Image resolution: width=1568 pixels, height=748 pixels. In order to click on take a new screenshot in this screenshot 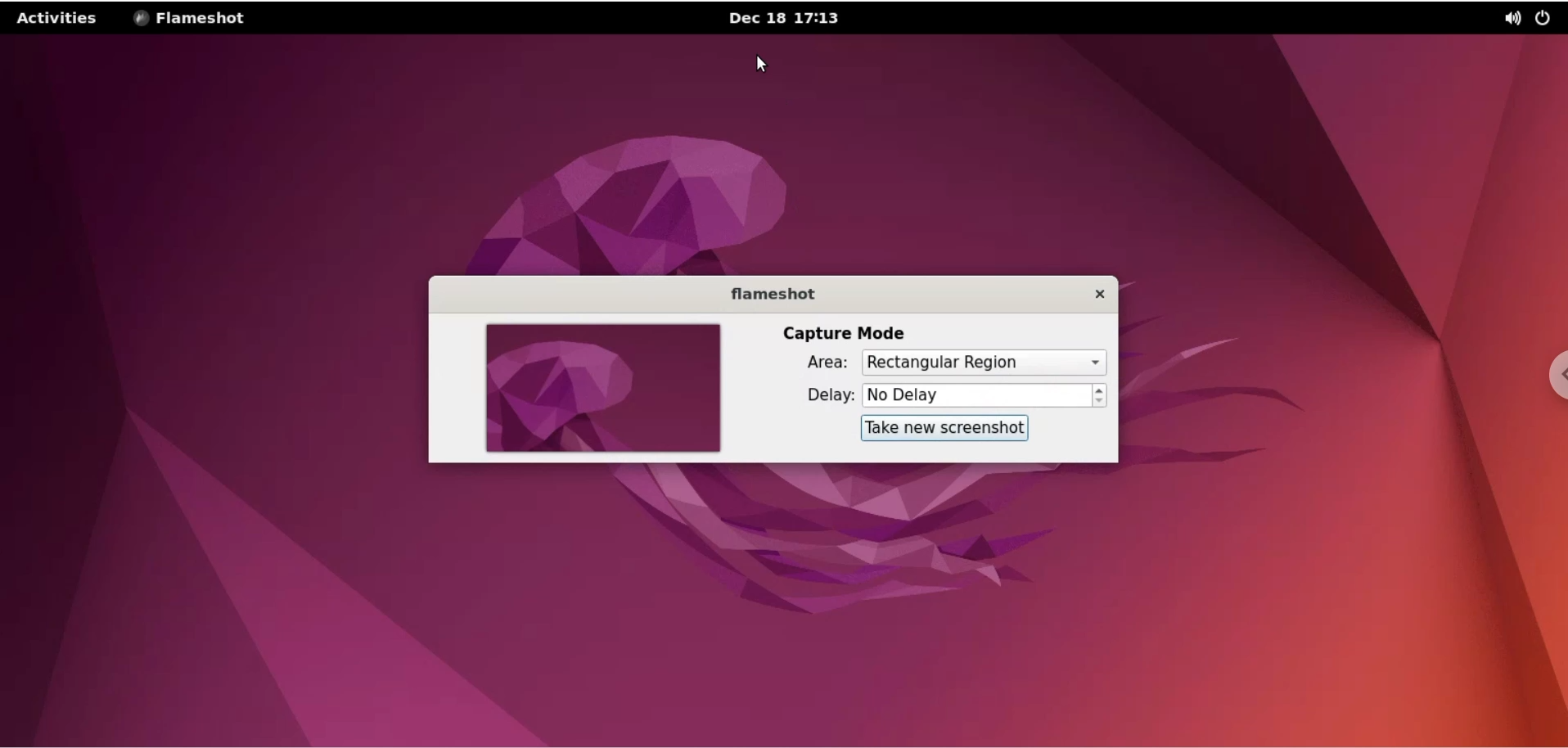, I will do `click(944, 428)`.